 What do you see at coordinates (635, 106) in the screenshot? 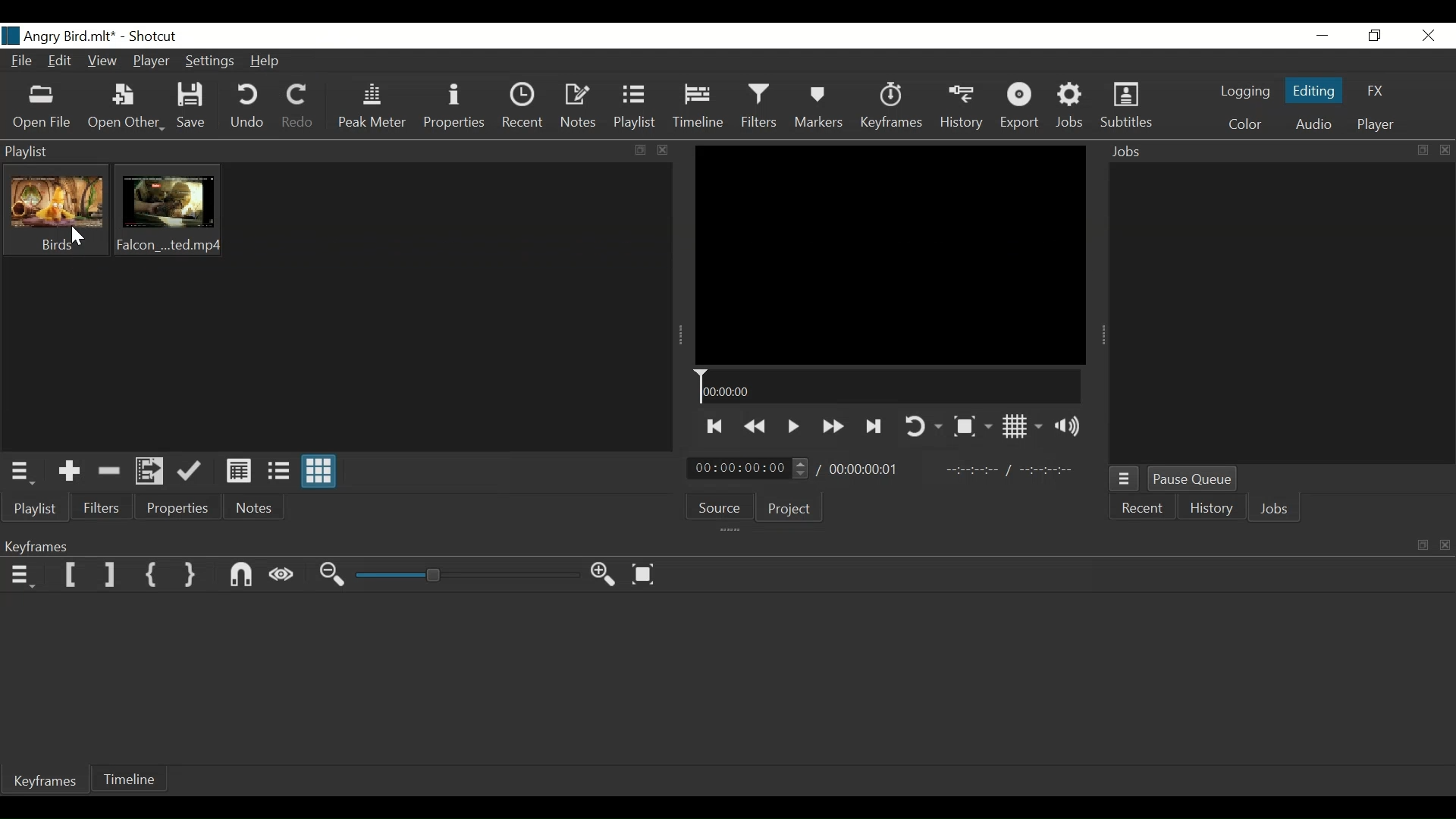
I see `Playlist` at bounding box center [635, 106].